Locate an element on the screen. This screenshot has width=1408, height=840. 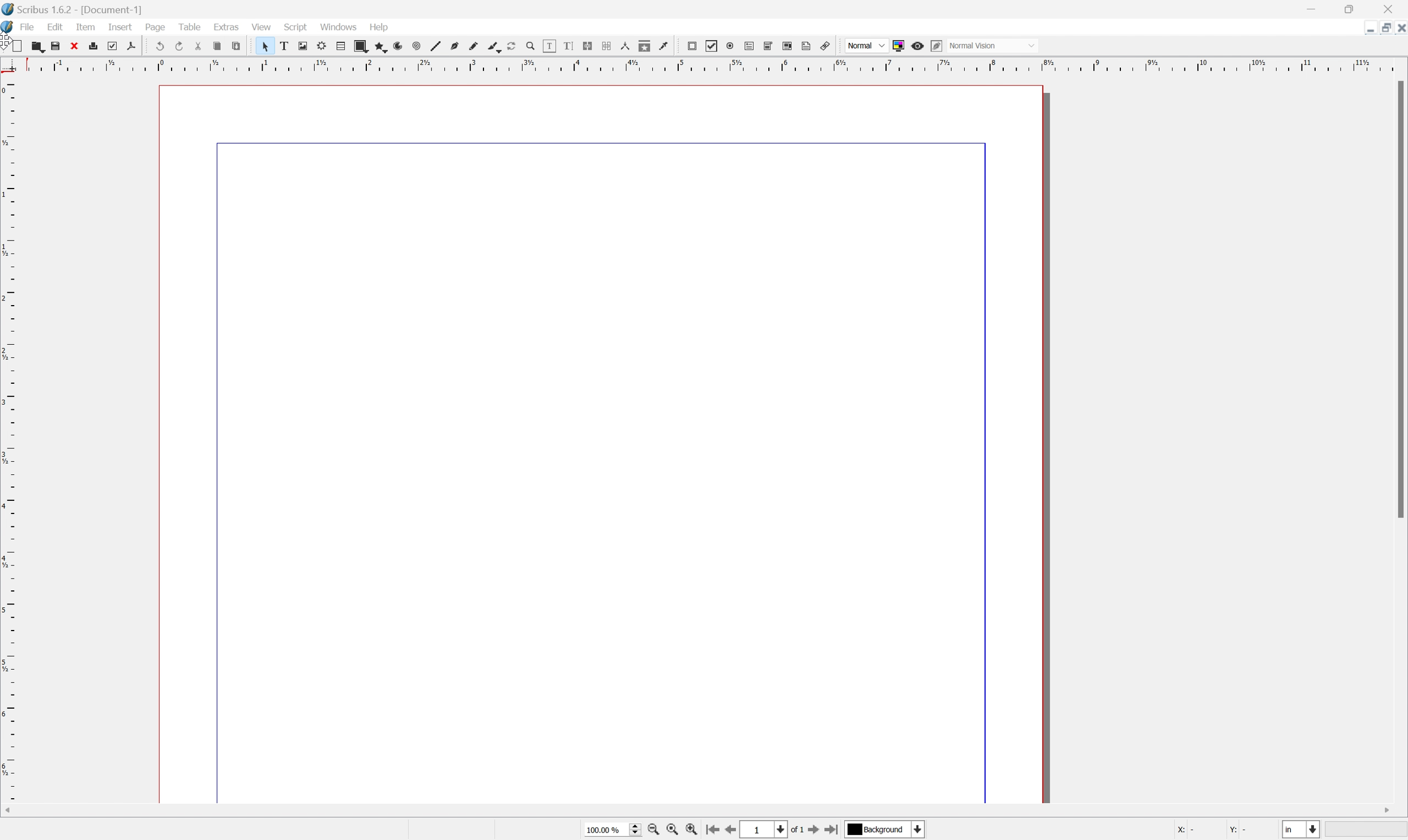
pdf combo box is located at coordinates (768, 46).